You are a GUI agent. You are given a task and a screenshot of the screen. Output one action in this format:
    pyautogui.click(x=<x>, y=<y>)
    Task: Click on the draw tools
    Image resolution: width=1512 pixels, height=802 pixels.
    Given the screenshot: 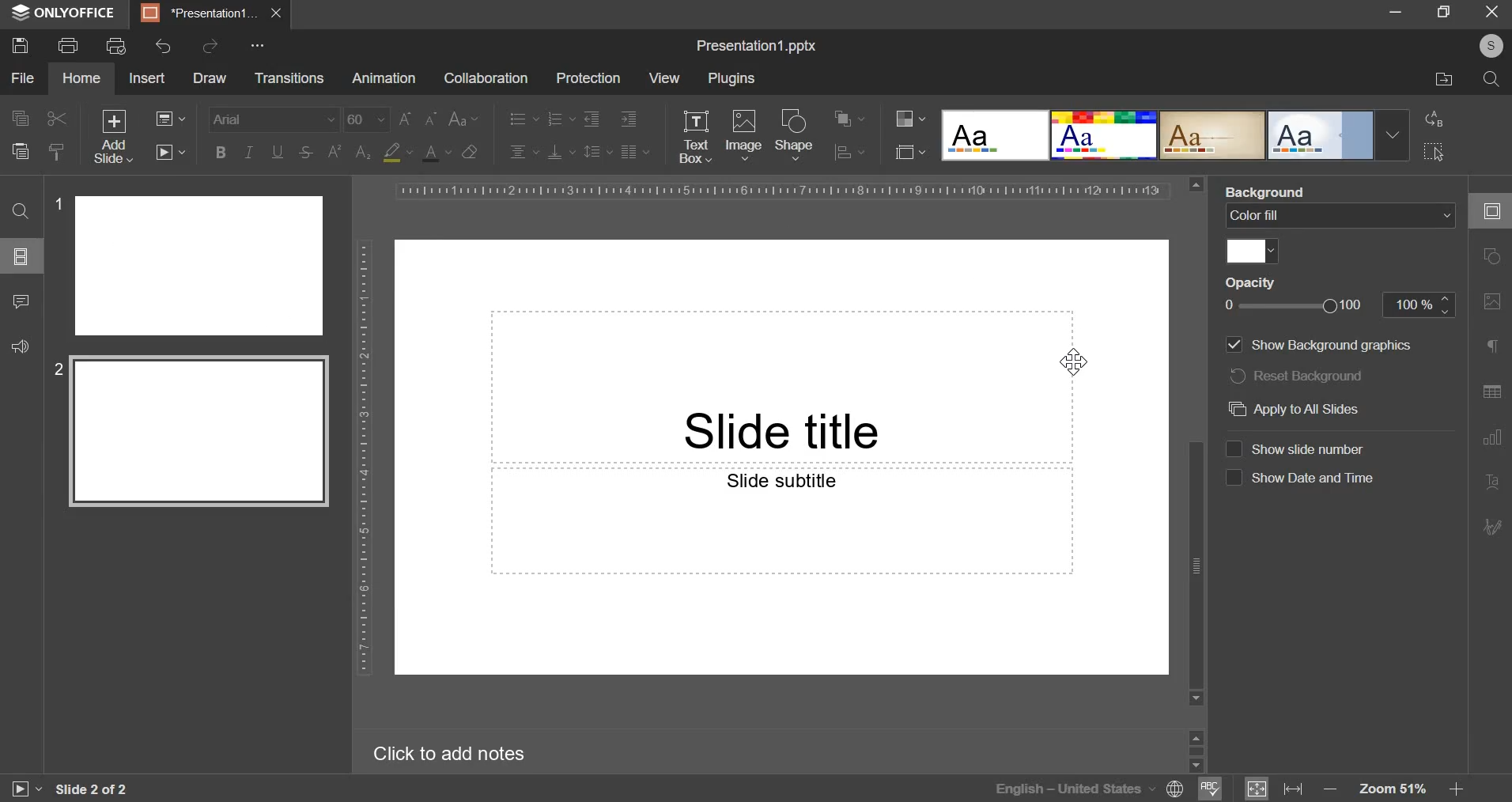 What is the action you would take?
    pyautogui.click(x=1491, y=526)
    